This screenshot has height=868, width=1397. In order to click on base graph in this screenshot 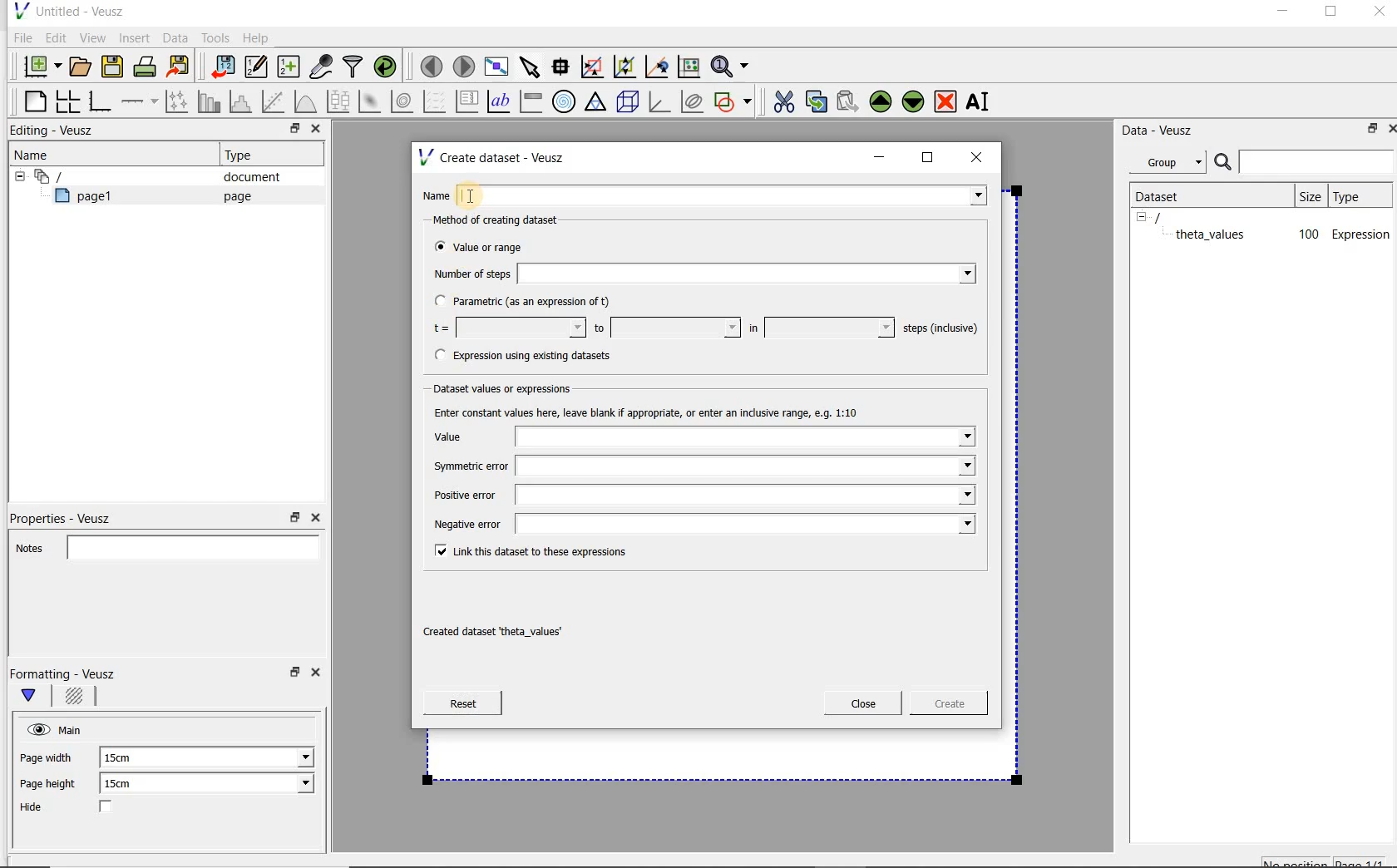, I will do `click(99, 102)`.